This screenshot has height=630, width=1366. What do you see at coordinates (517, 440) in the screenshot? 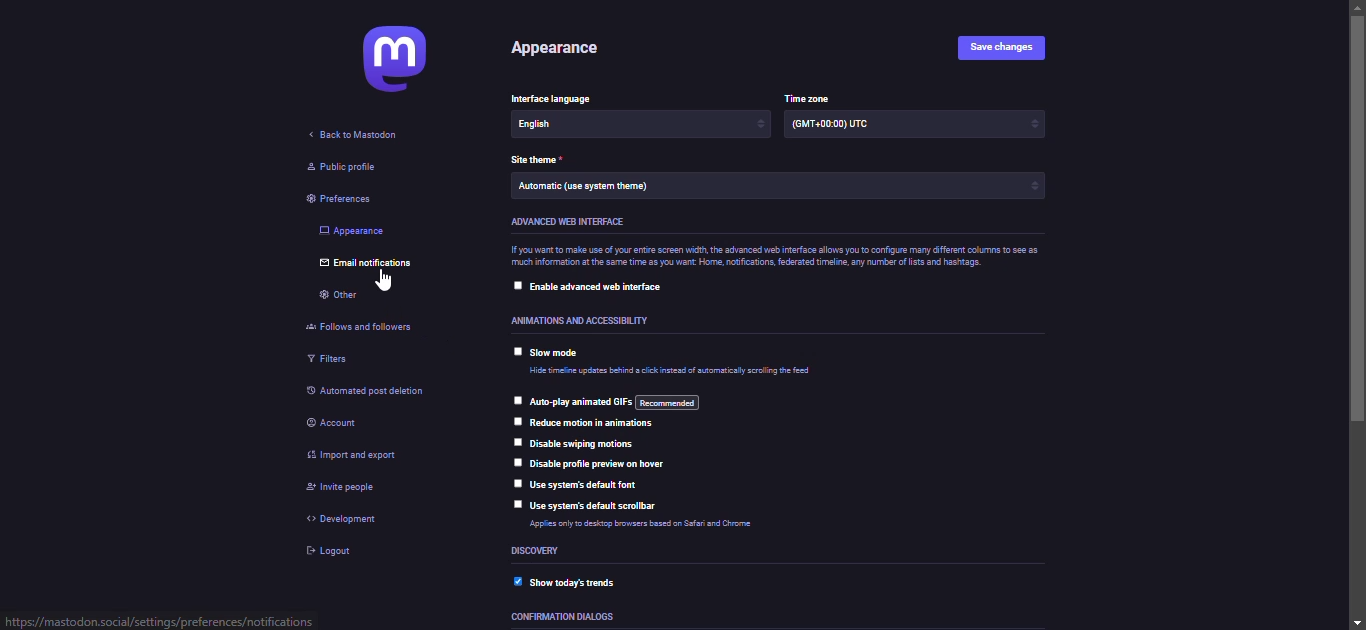
I see `click to select` at bounding box center [517, 440].